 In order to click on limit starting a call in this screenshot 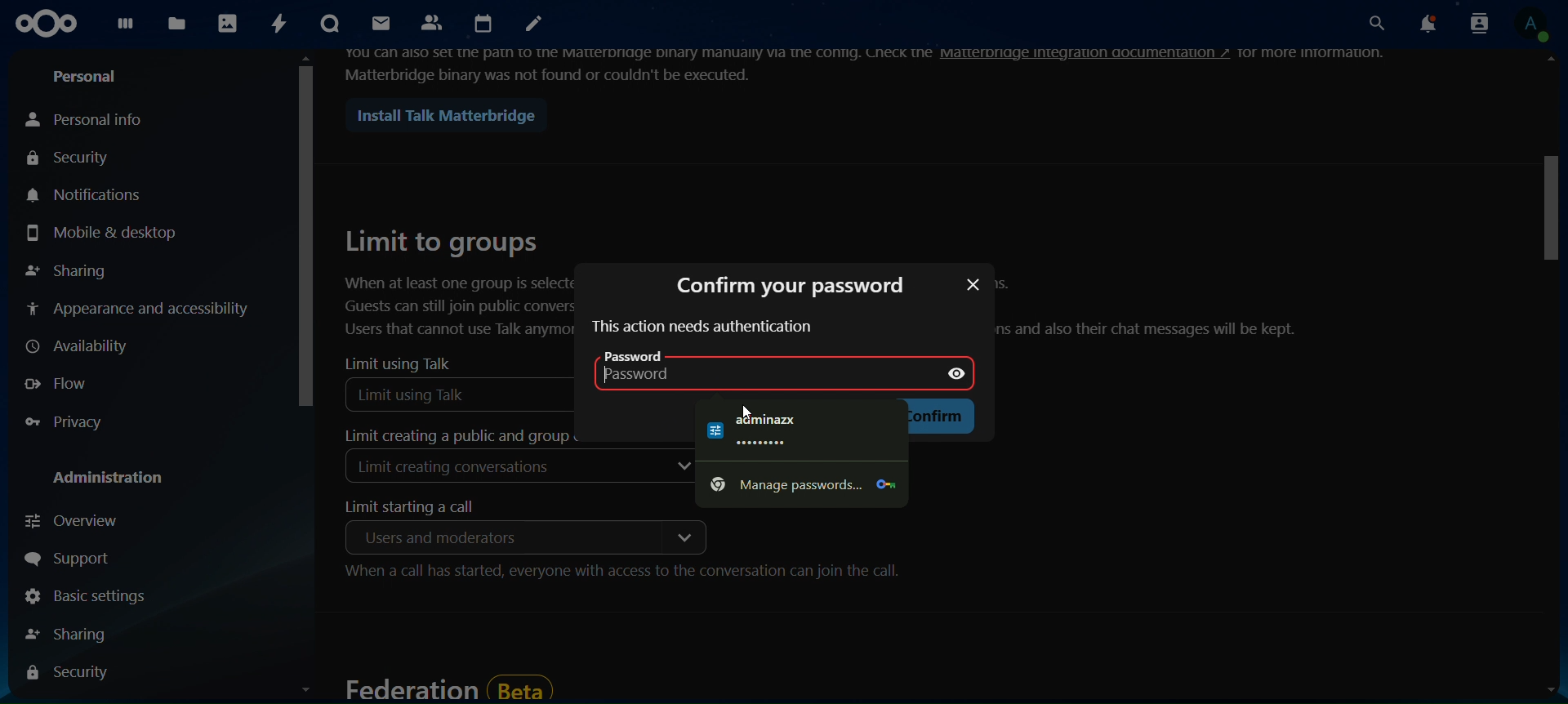, I will do `click(421, 507)`.